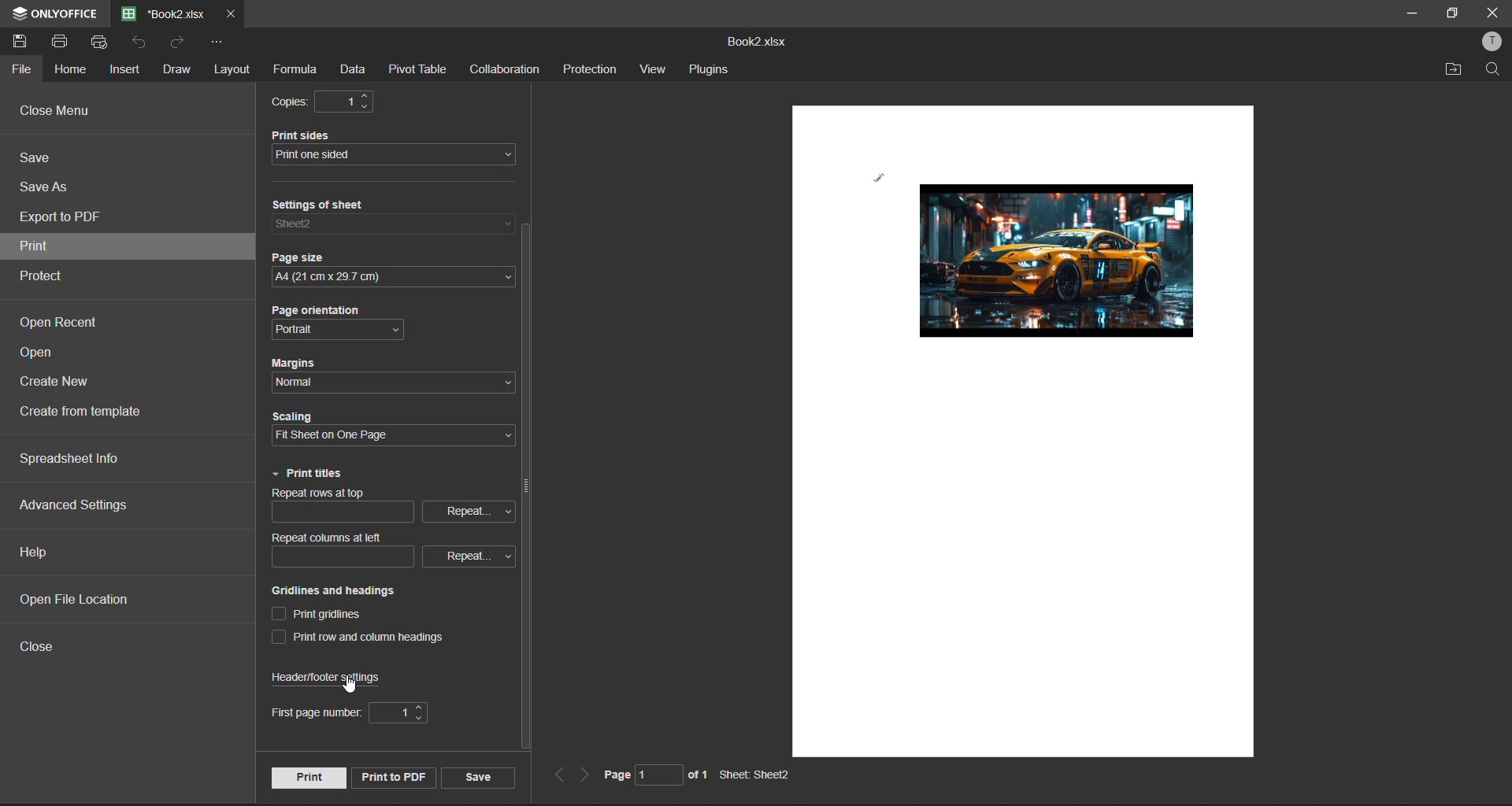 This screenshot has width=1512, height=806. What do you see at coordinates (589, 72) in the screenshot?
I see `protection` at bounding box center [589, 72].